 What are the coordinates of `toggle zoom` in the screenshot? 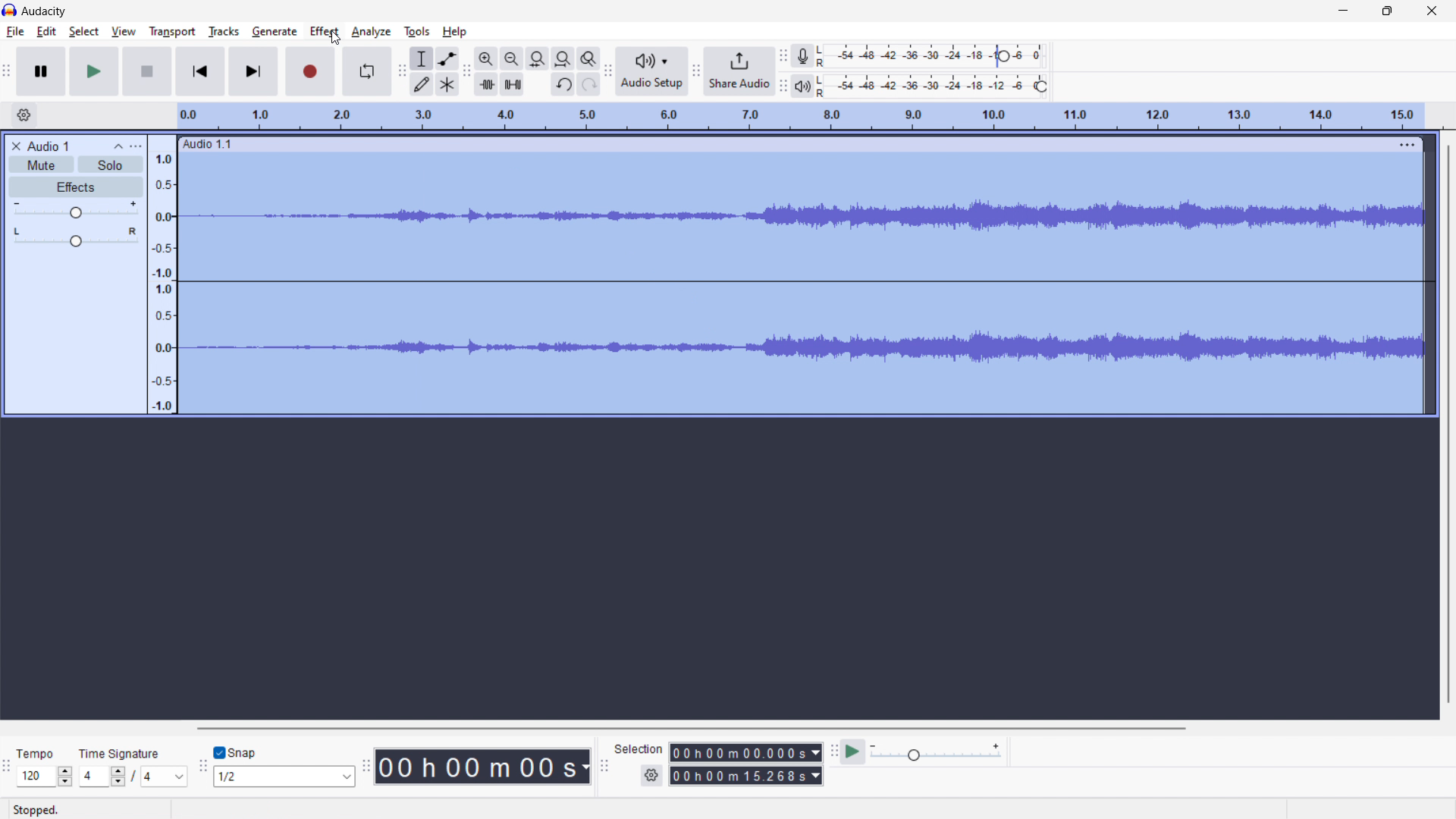 It's located at (588, 58).